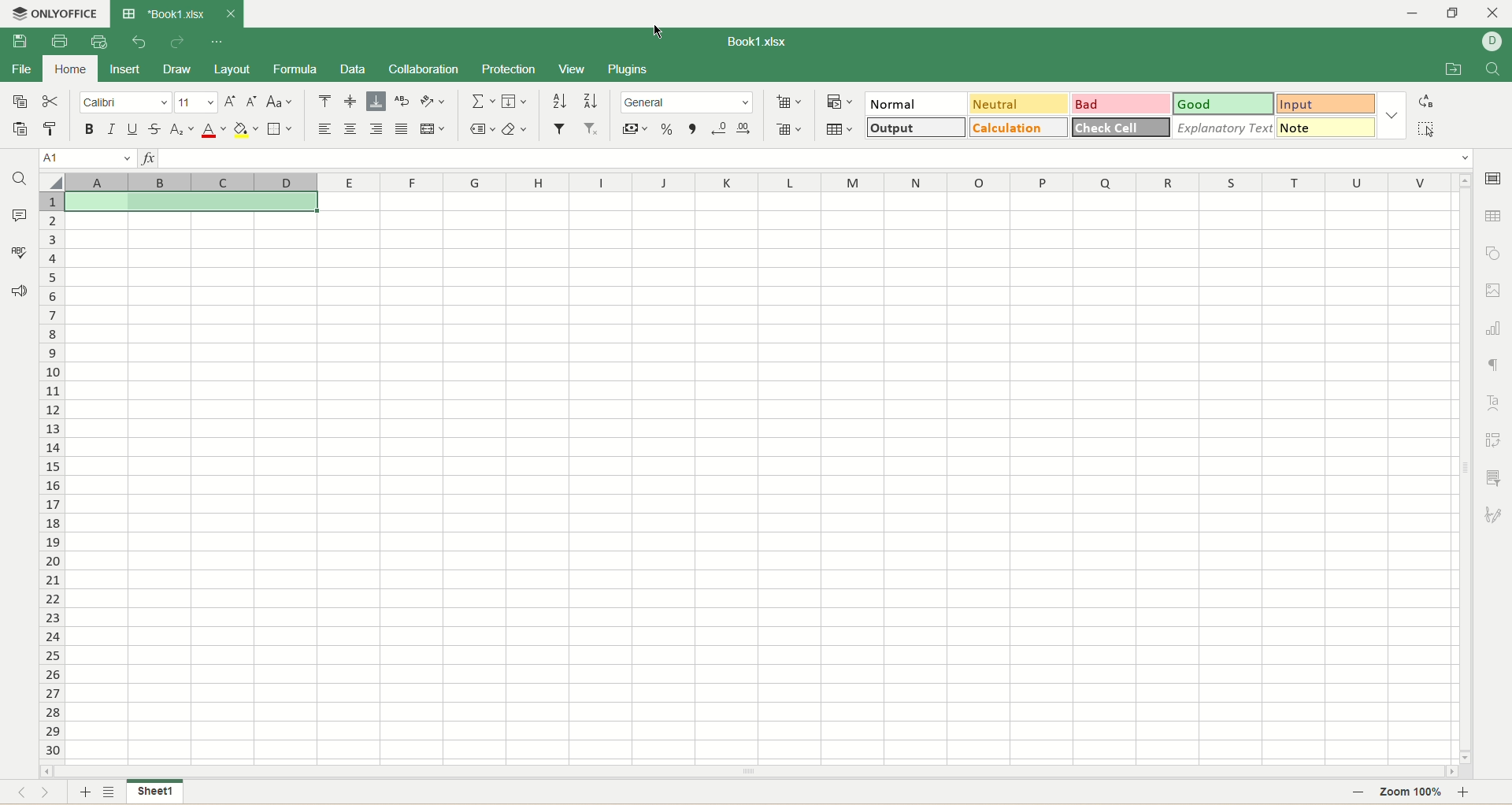 The width and height of the screenshot is (1512, 805). What do you see at coordinates (230, 16) in the screenshot?
I see `close` at bounding box center [230, 16].